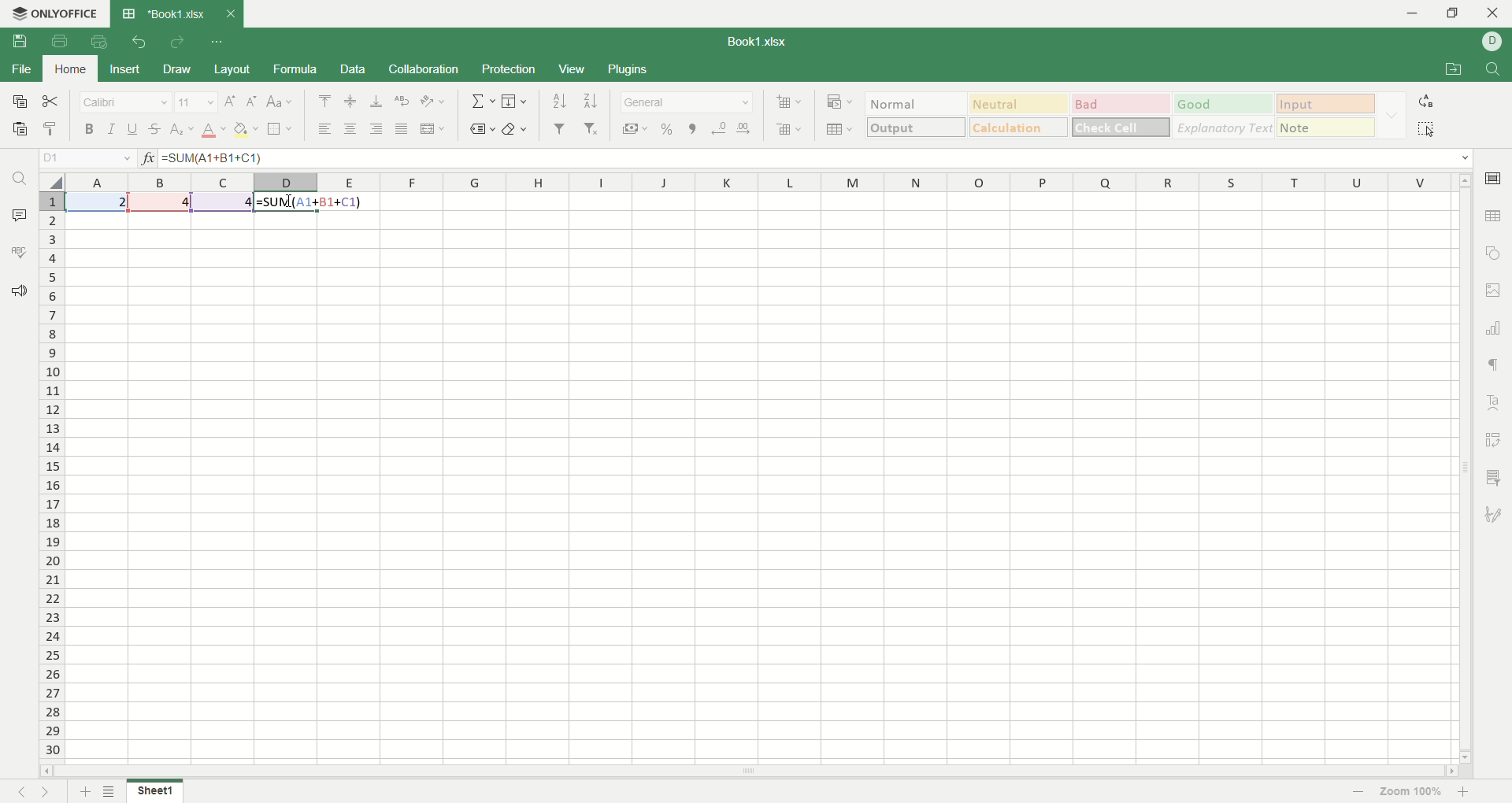 Image resolution: width=1512 pixels, height=803 pixels. What do you see at coordinates (136, 45) in the screenshot?
I see `undo` at bounding box center [136, 45].